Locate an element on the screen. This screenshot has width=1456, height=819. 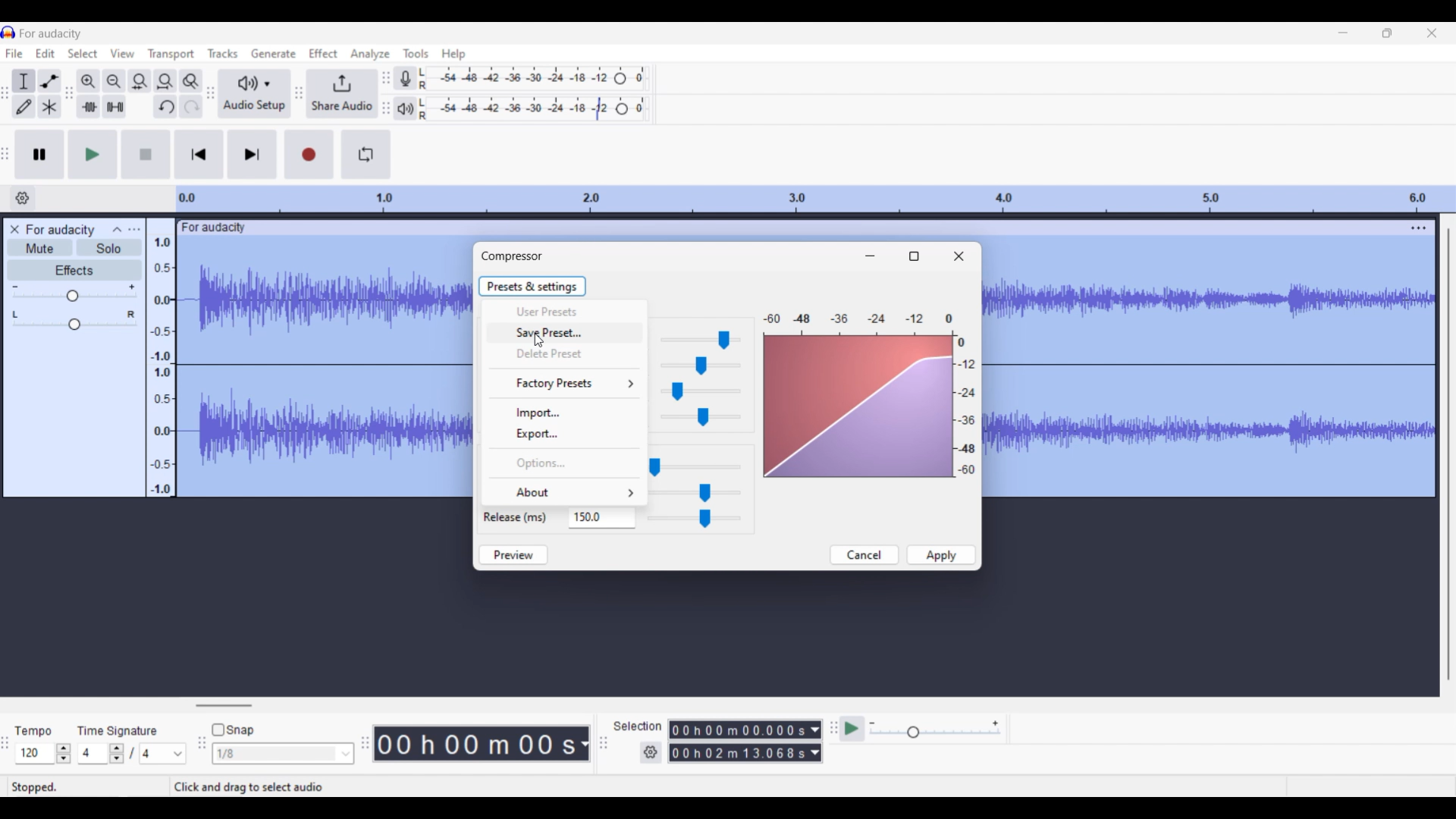
Skip/Select to end is located at coordinates (253, 155).